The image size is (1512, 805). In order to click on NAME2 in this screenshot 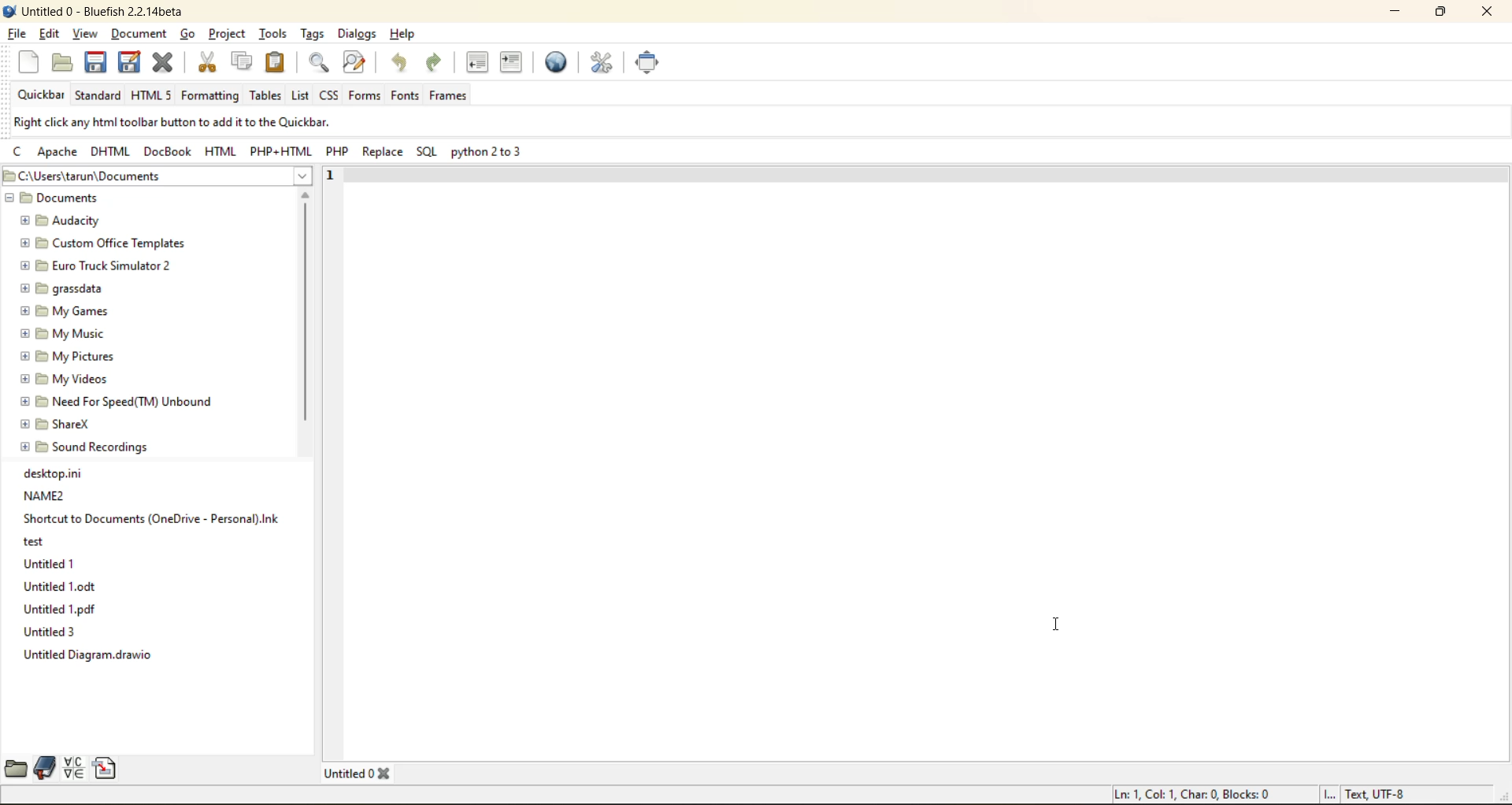, I will do `click(45, 495)`.